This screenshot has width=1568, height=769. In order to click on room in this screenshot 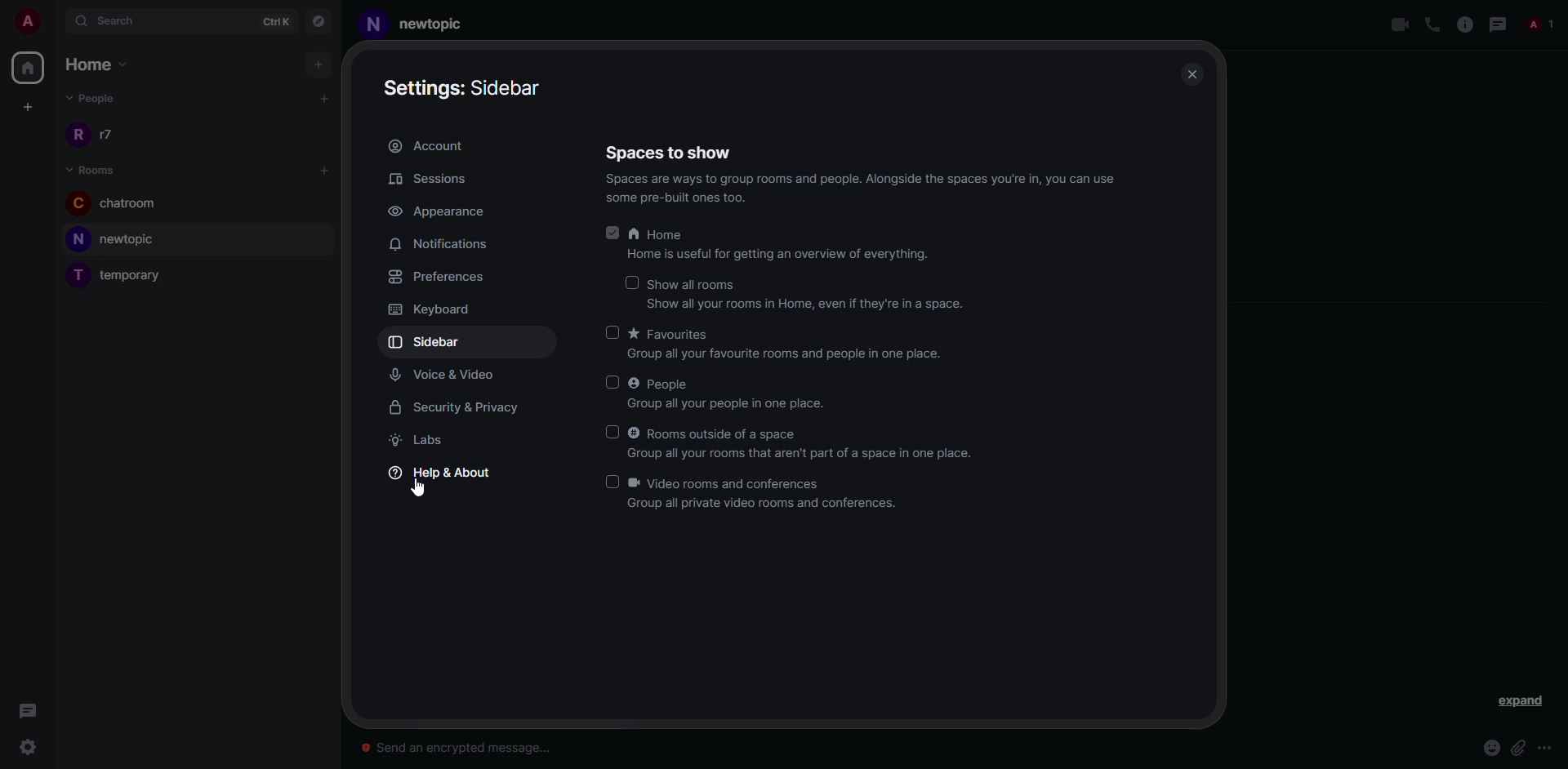, I will do `click(126, 204)`.